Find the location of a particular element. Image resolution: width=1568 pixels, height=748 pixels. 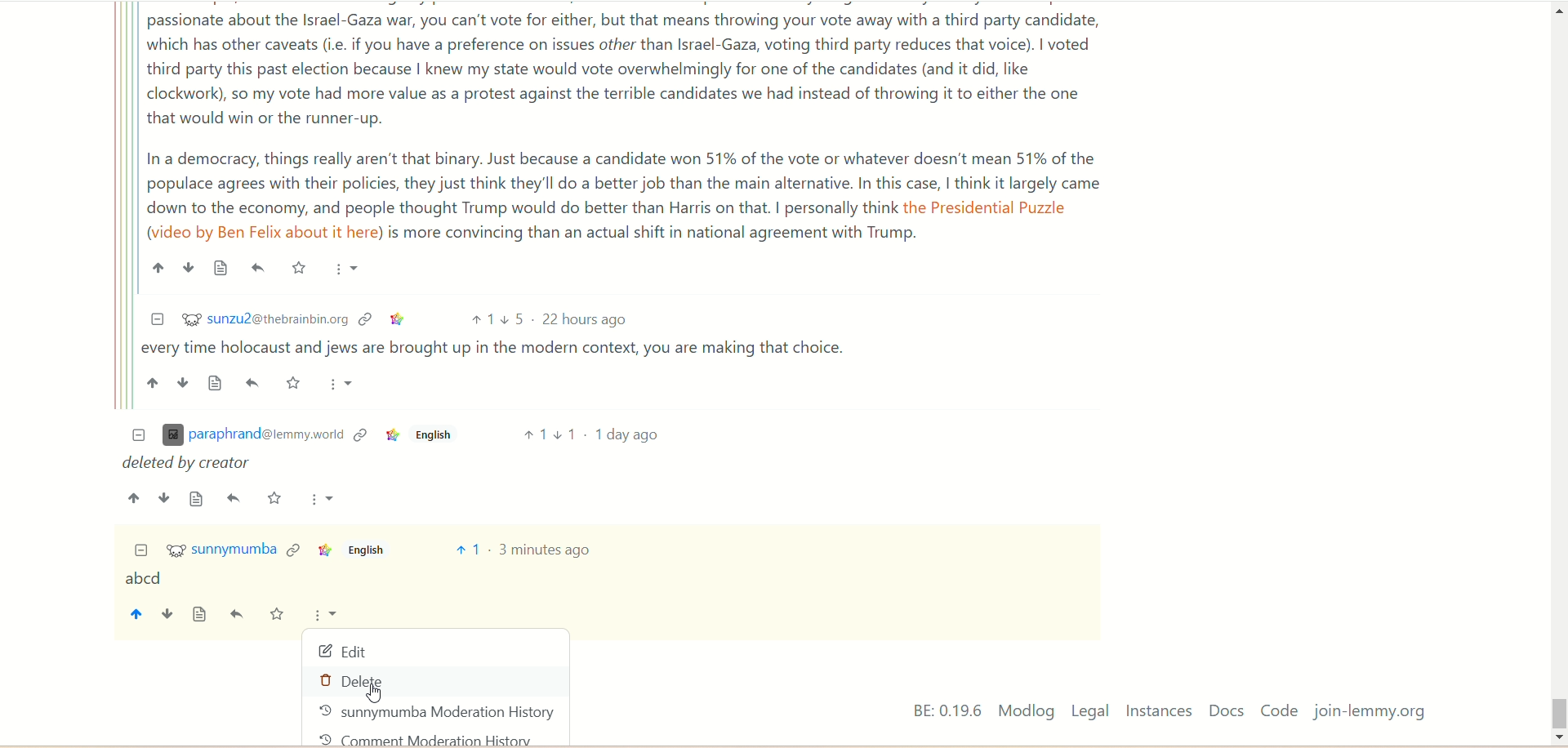

Reply is located at coordinates (255, 383).